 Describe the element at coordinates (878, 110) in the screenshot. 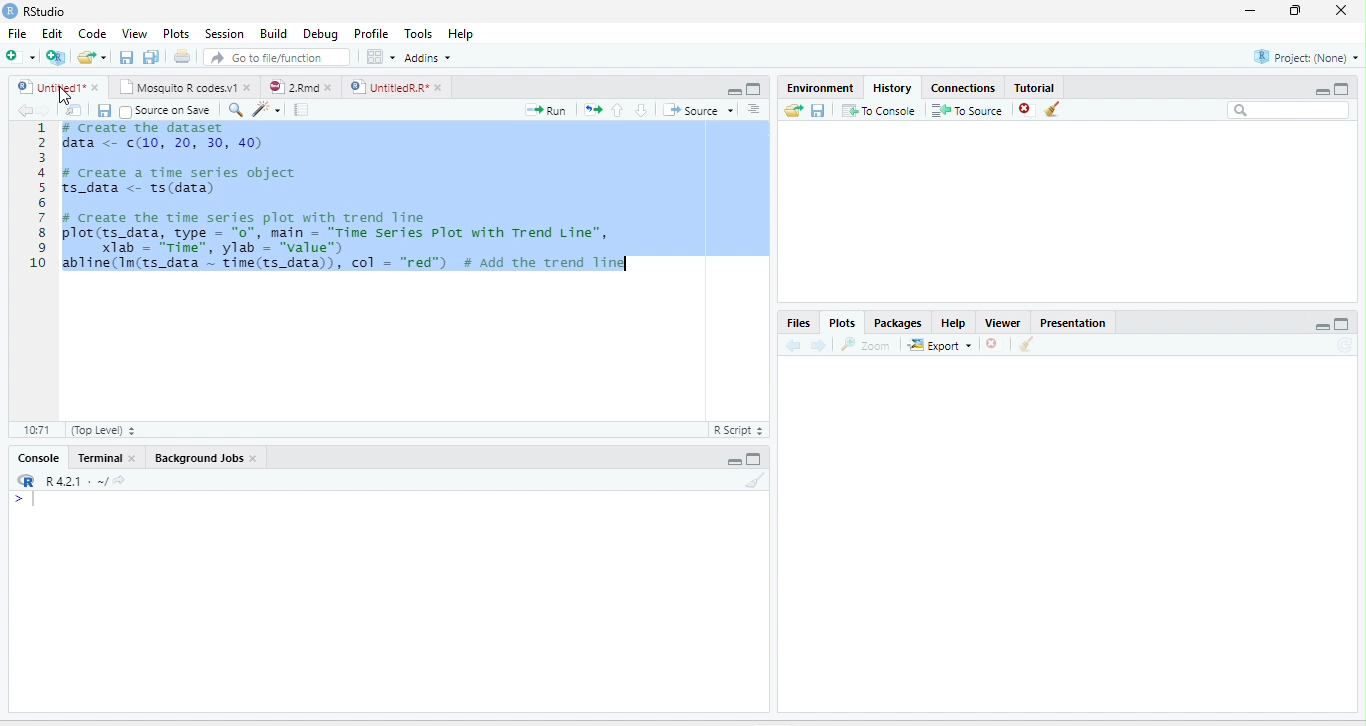

I see `To Console` at that location.